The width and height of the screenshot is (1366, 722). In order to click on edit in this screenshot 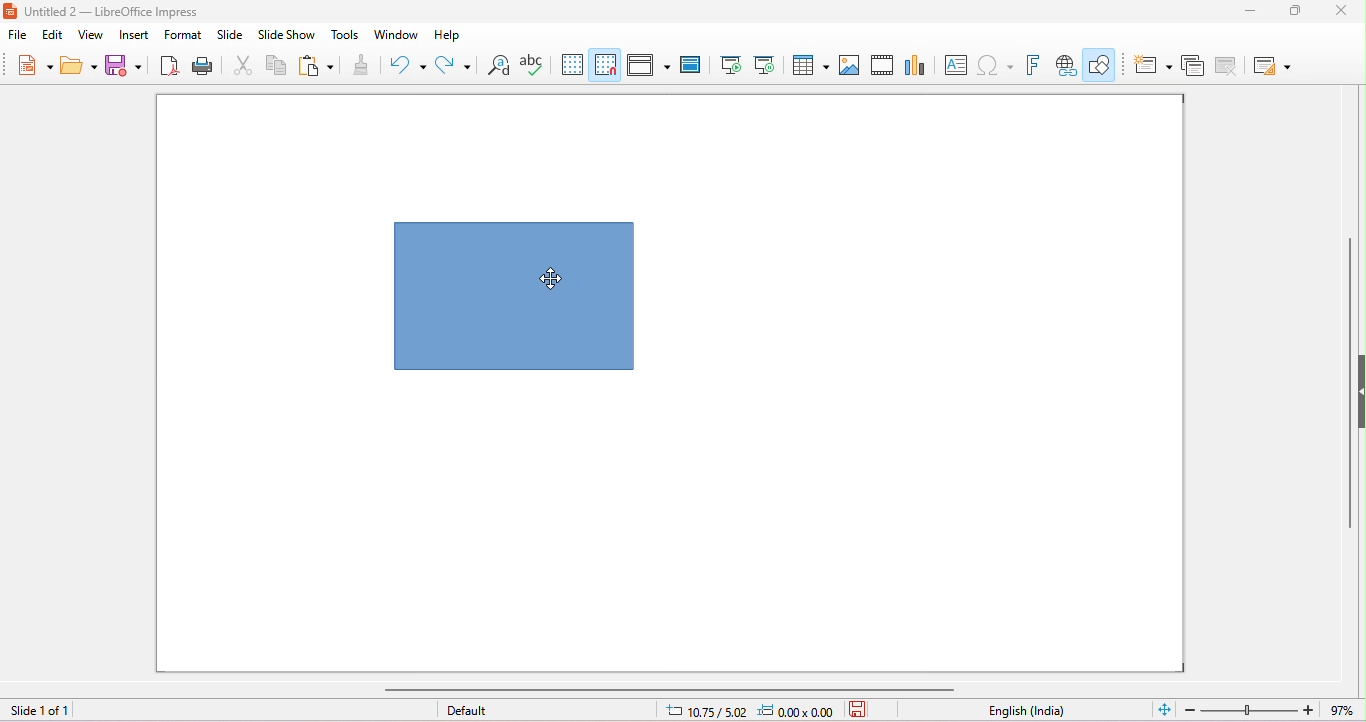, I will do `click(52, 36)`.